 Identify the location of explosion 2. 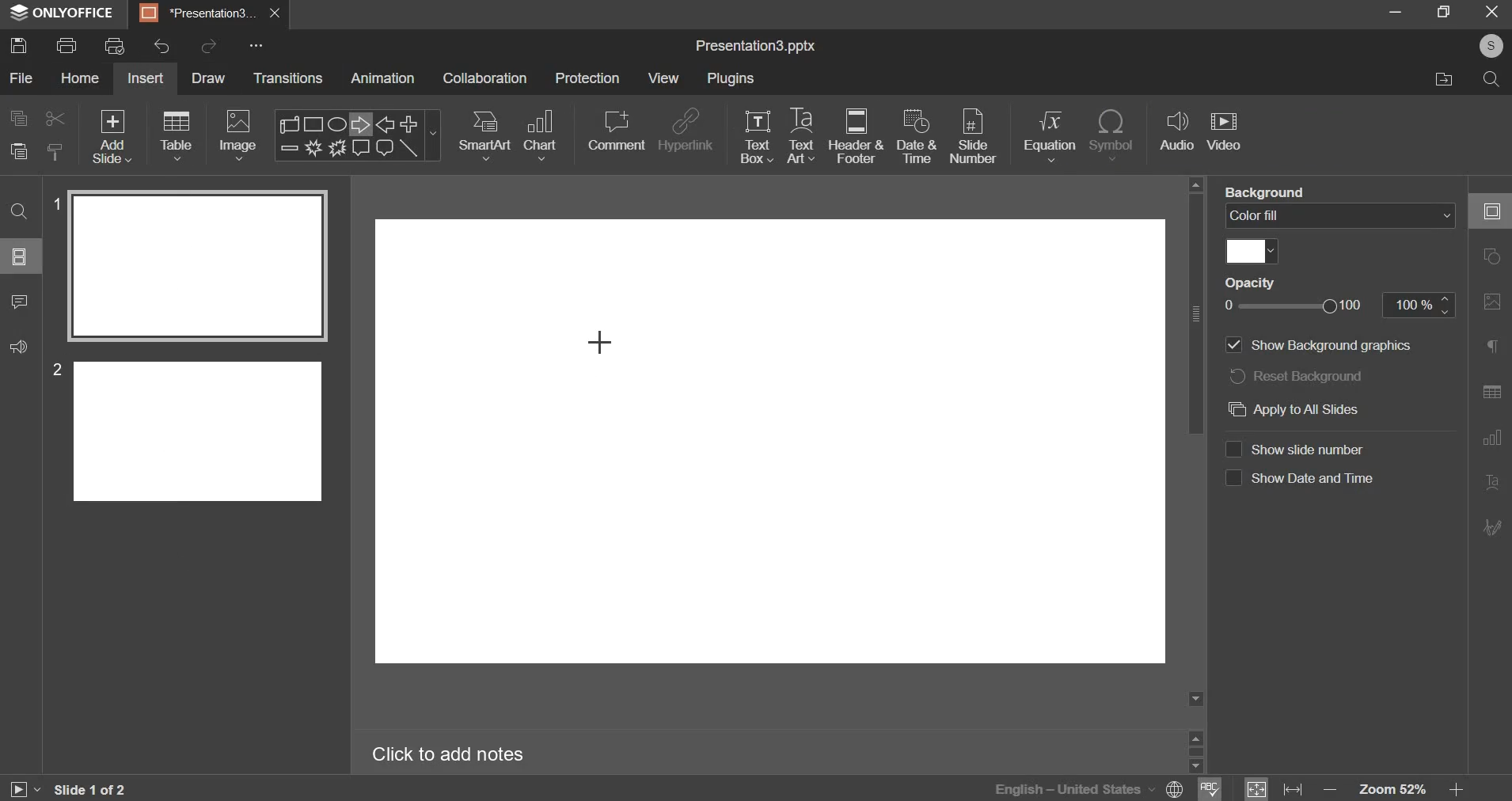
(336, 148).